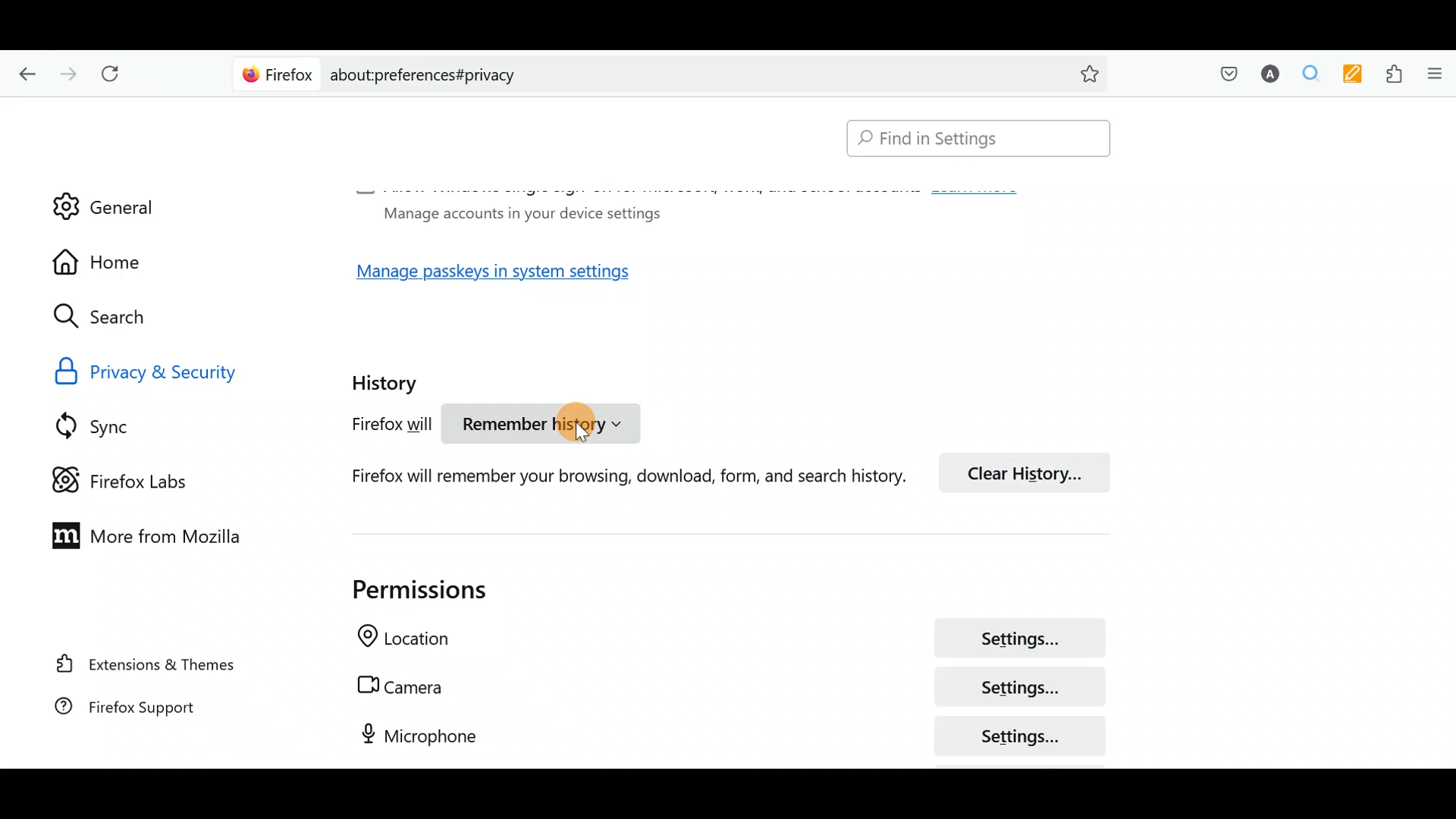  What do you see at coordinates (675, 72) in the screenshot?
I see `Search bar` at bounding box center [675, 72].